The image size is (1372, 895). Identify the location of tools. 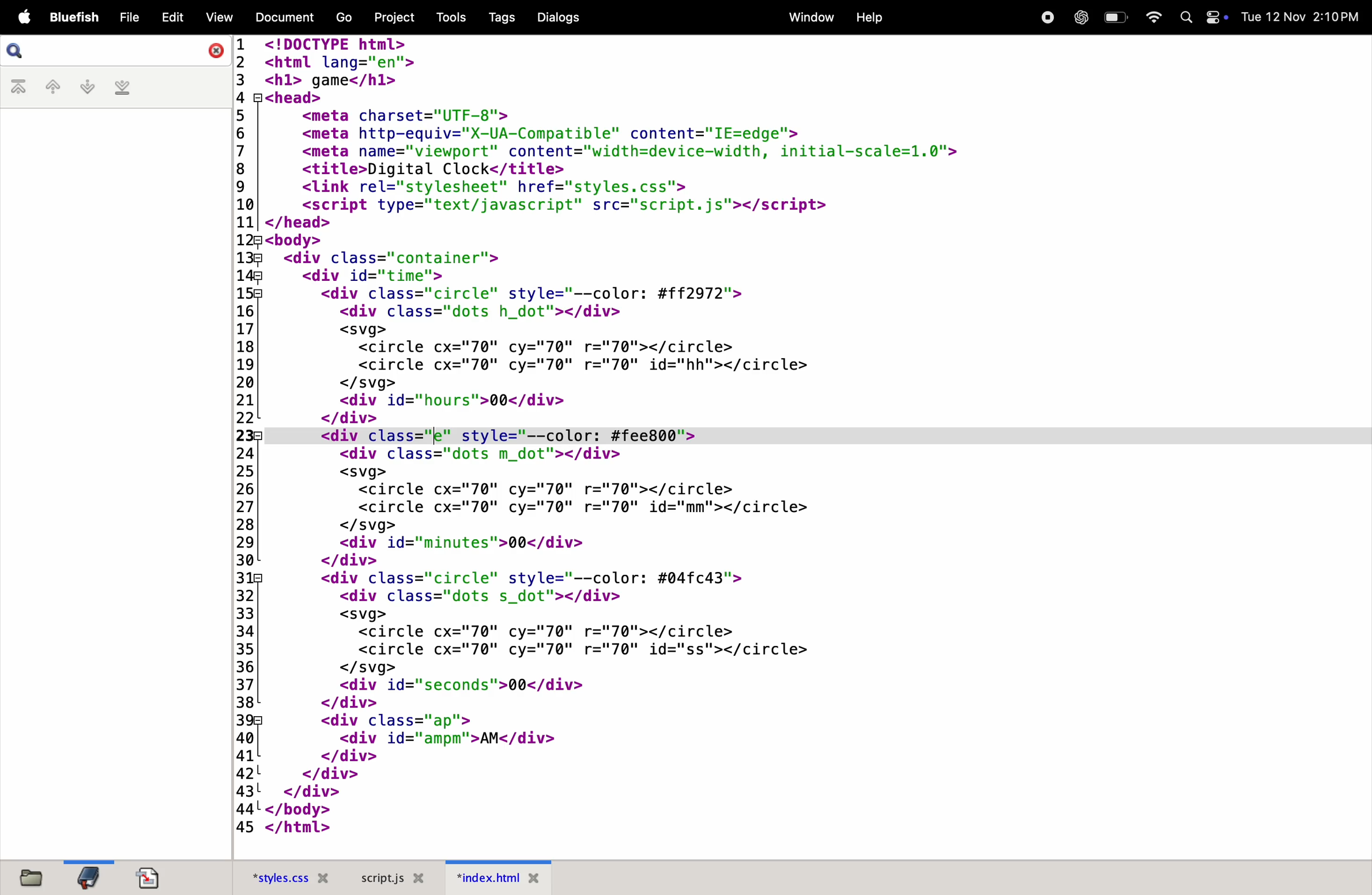
(448, 16).